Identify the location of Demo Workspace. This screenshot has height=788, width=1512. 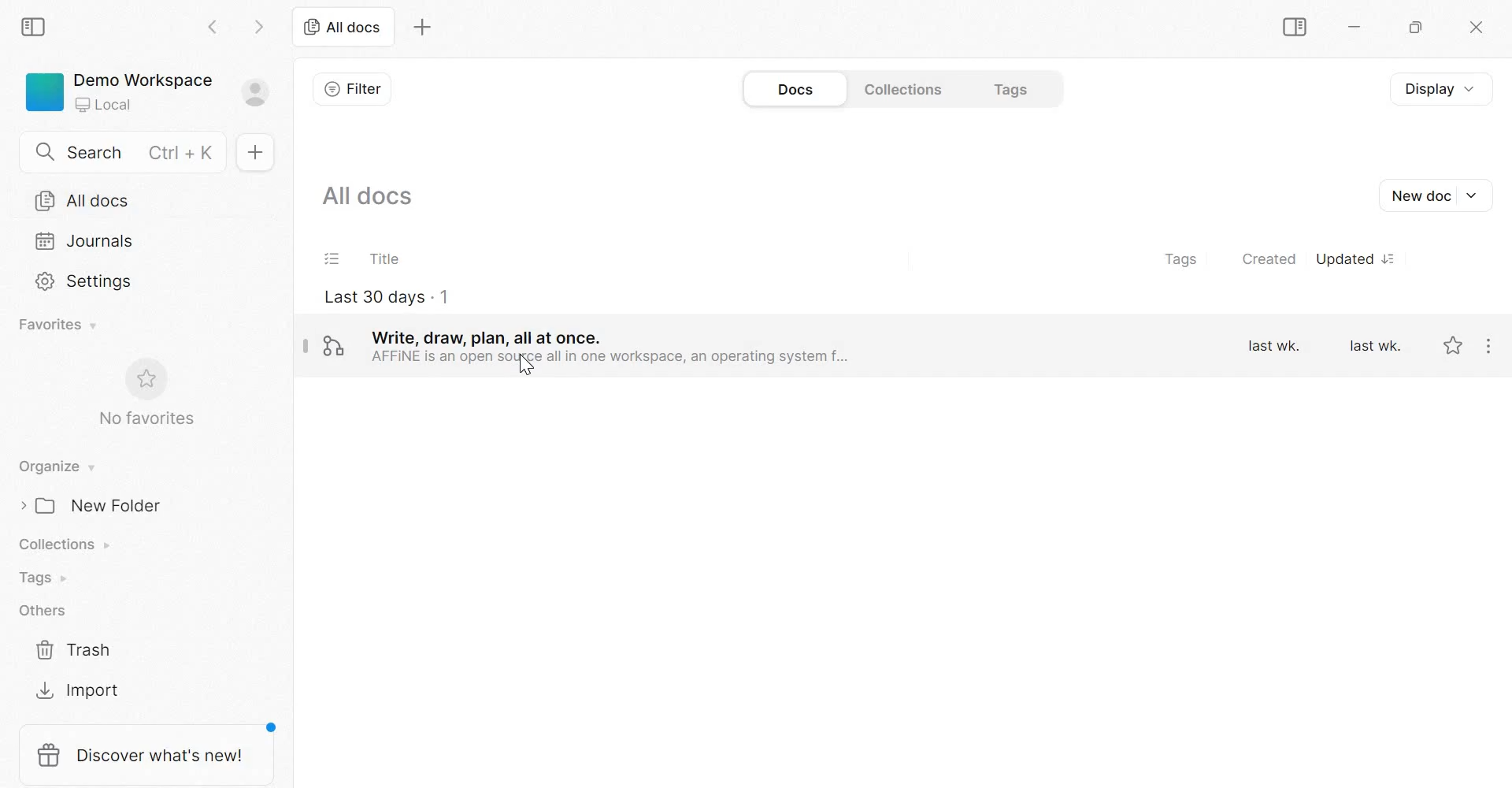
(154, 91).